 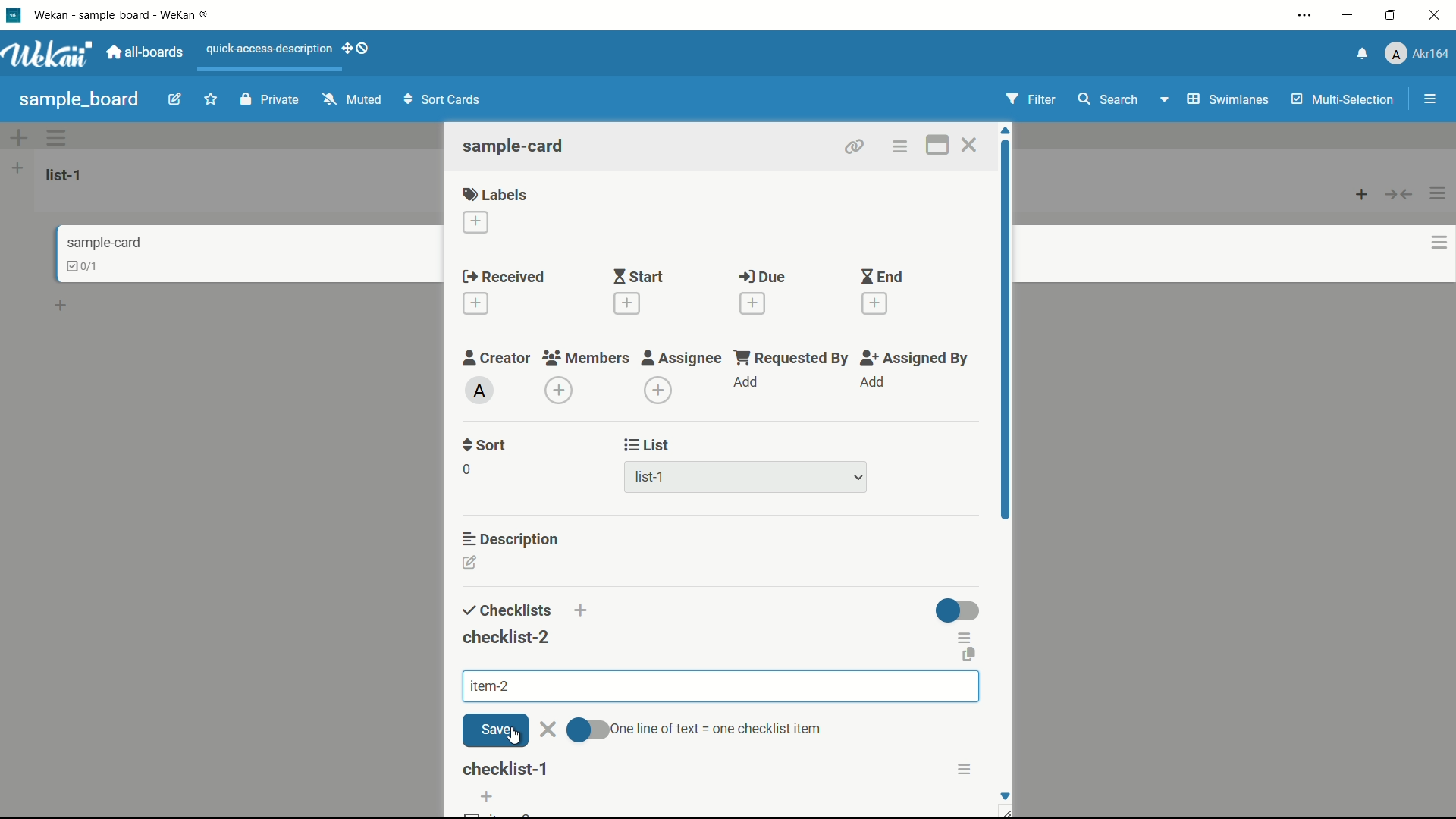 I want to click on scroll up, so click(x=1007, y=130).